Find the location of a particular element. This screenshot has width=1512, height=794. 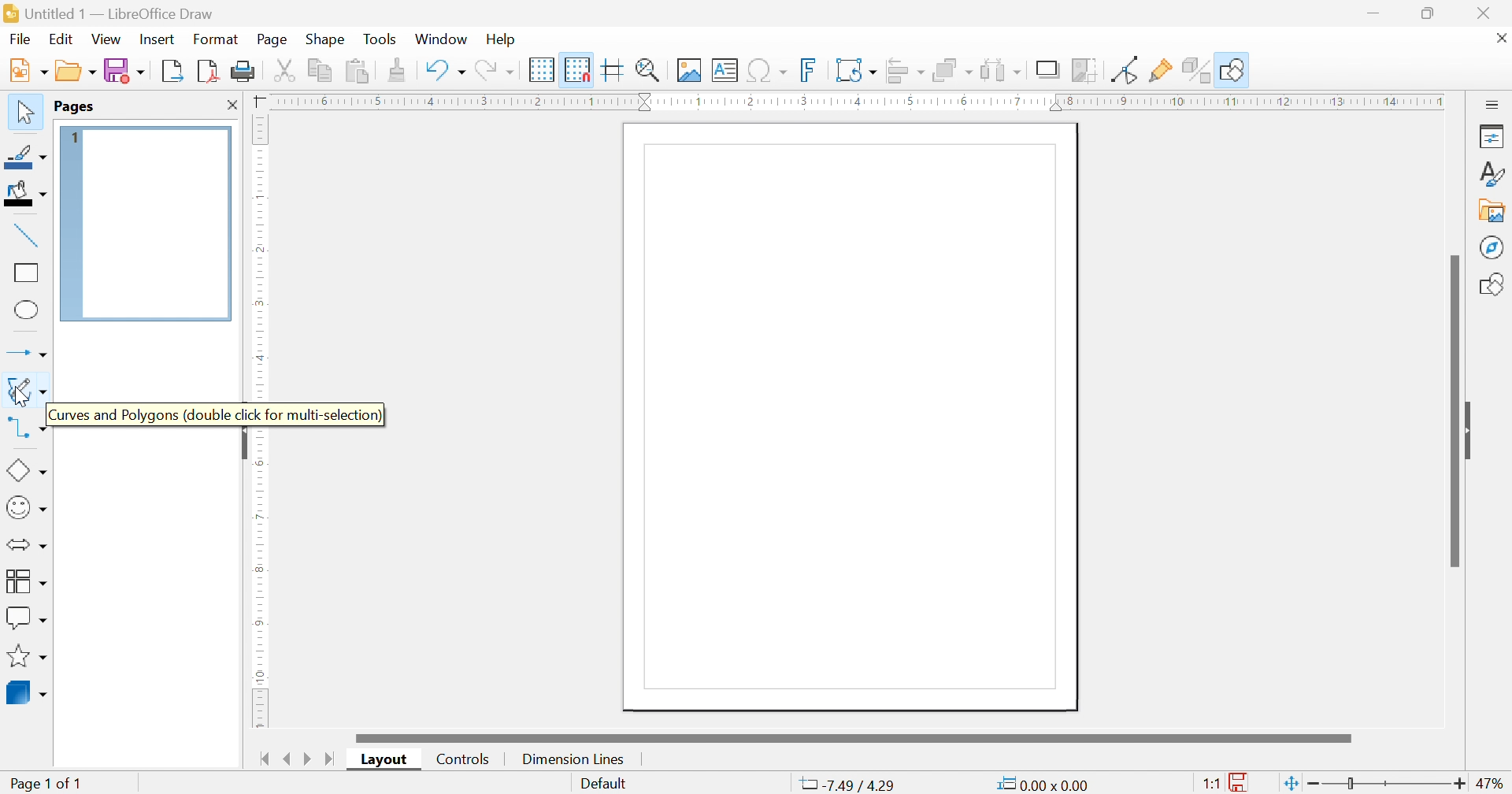

minimize is located at coordinates (1373, 13).